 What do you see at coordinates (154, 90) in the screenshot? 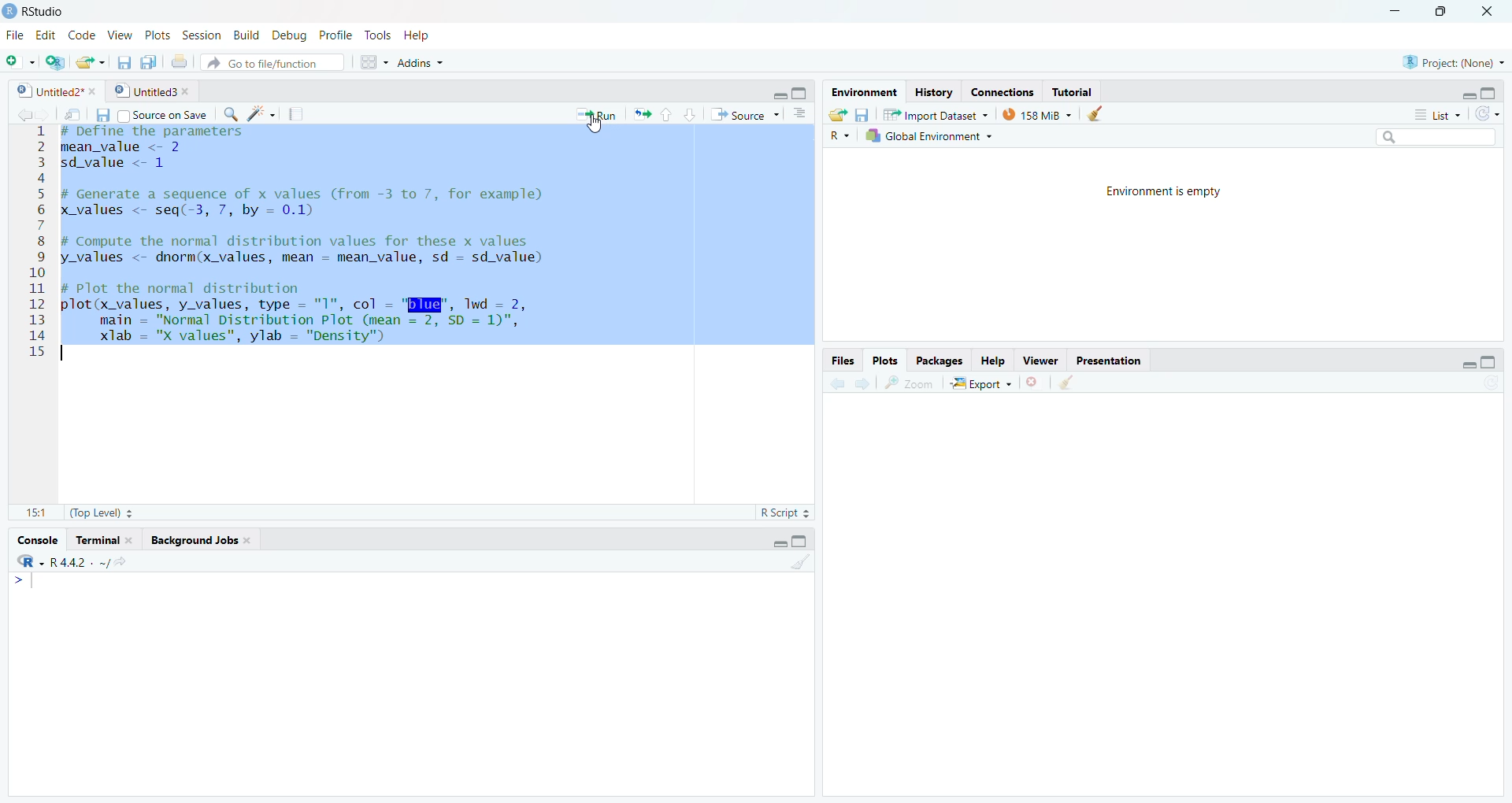
I see `Untitled` at bounding box center [154, 90].